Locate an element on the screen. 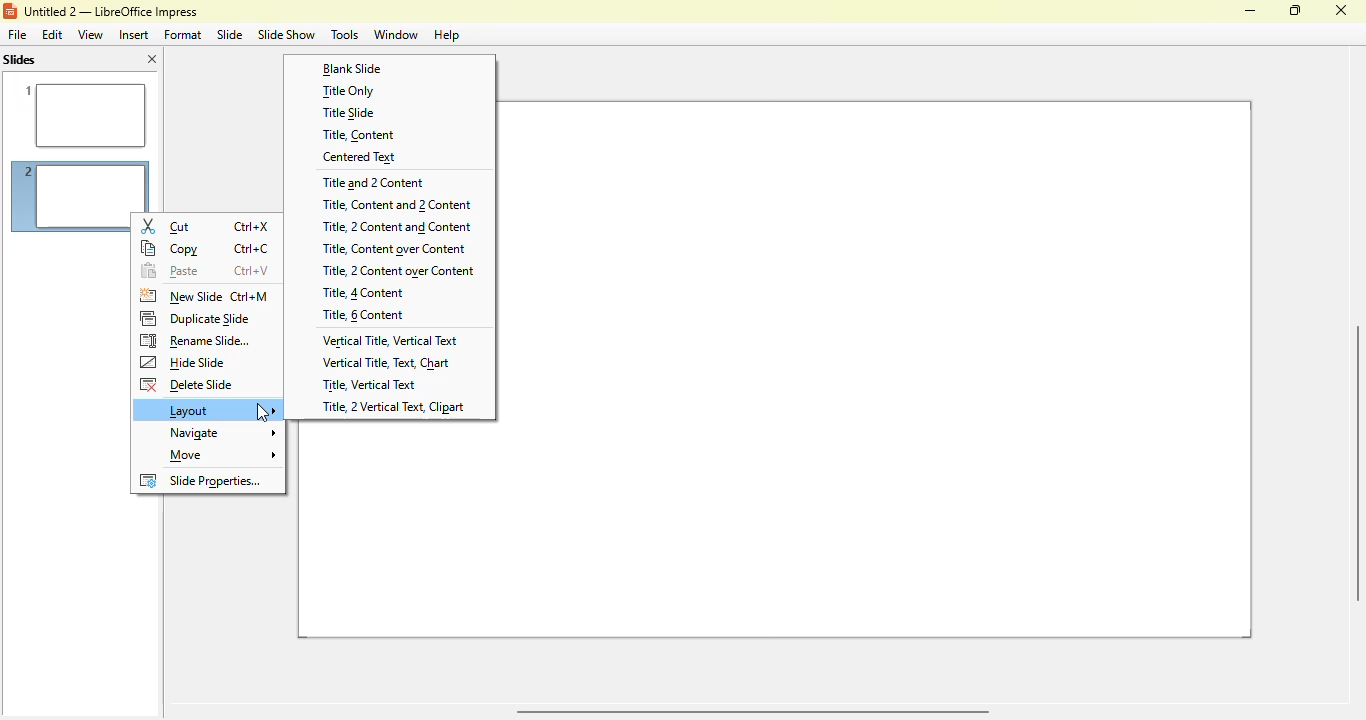 This screenshot has width=1366, height=720. rename slide is located at coordinates (196, 340).